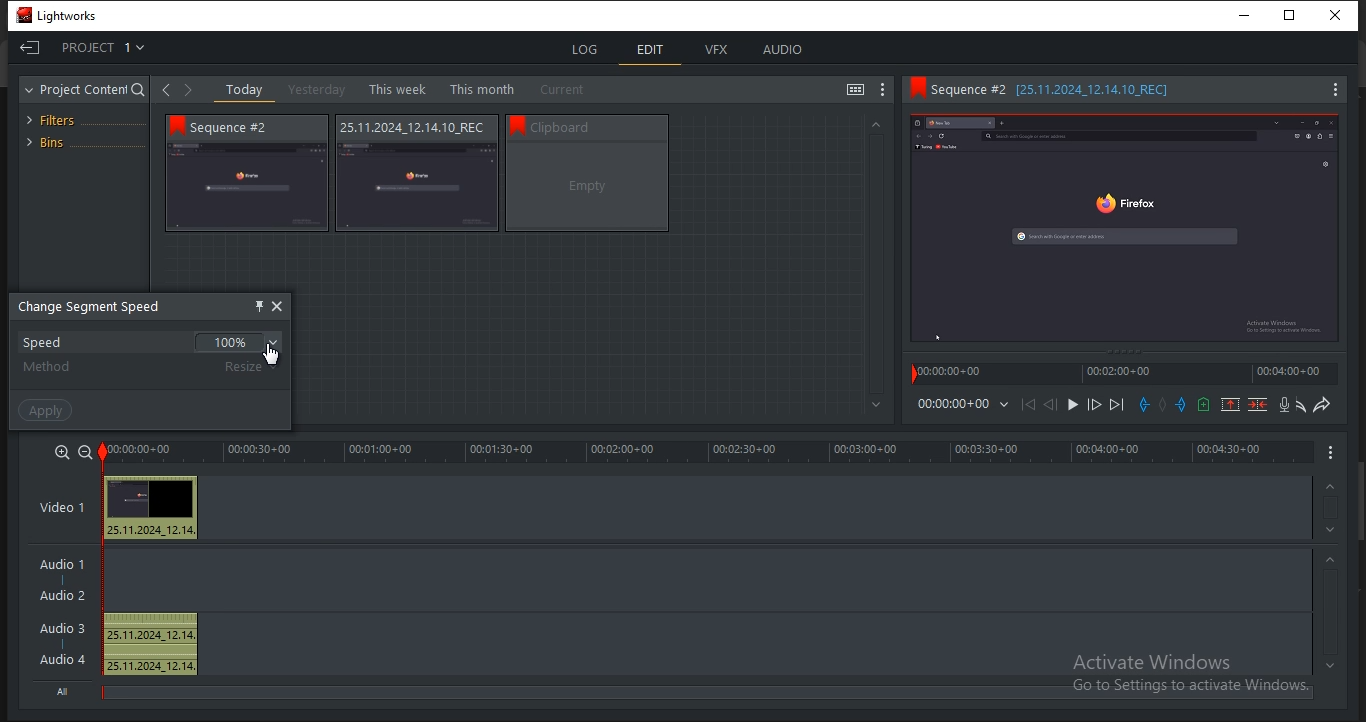 Image resolution: width=1366 pixels, height=722 pixels. I want to click on current, so click(567, 90).